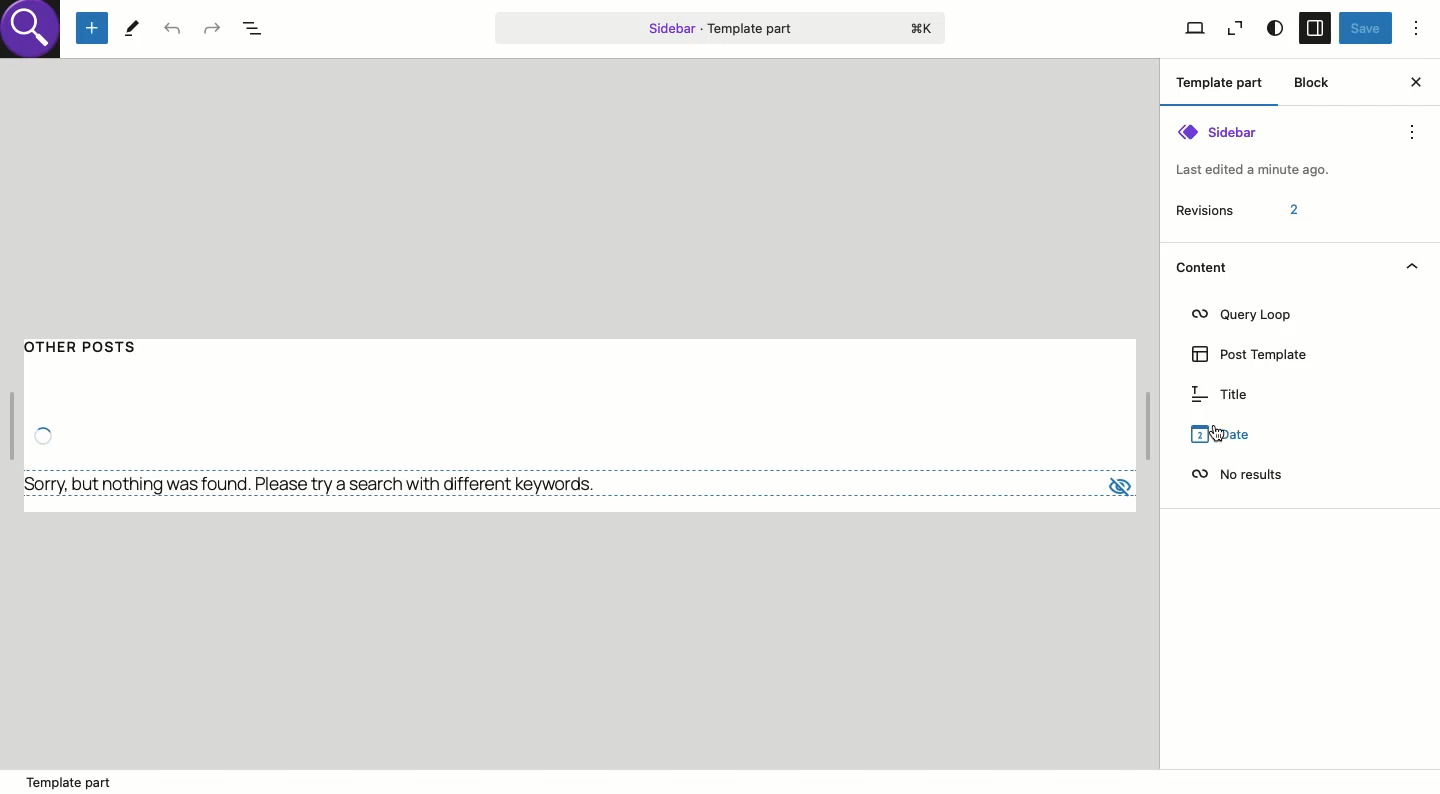 Image resolution: width=1440 pixels, height=794 pixels. I want to click on No results, so click(1236, 474).